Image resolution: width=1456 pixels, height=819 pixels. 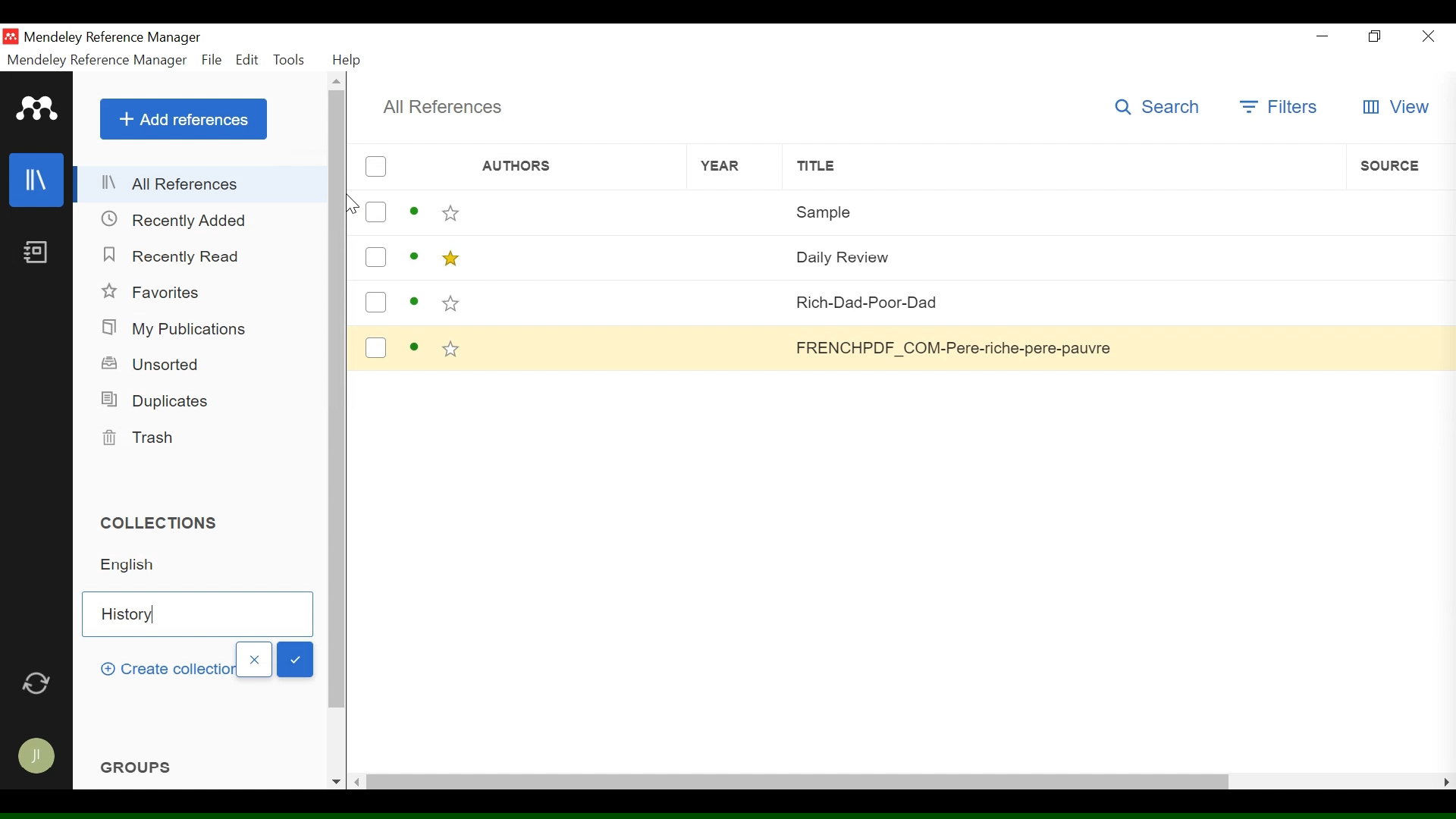 What do you see at coordinates (1062, 350) in the screenshot?
I see `FRENCHPDF_COM-Pere-riche-pere-pauvre` at bounding box center [1062, 350].